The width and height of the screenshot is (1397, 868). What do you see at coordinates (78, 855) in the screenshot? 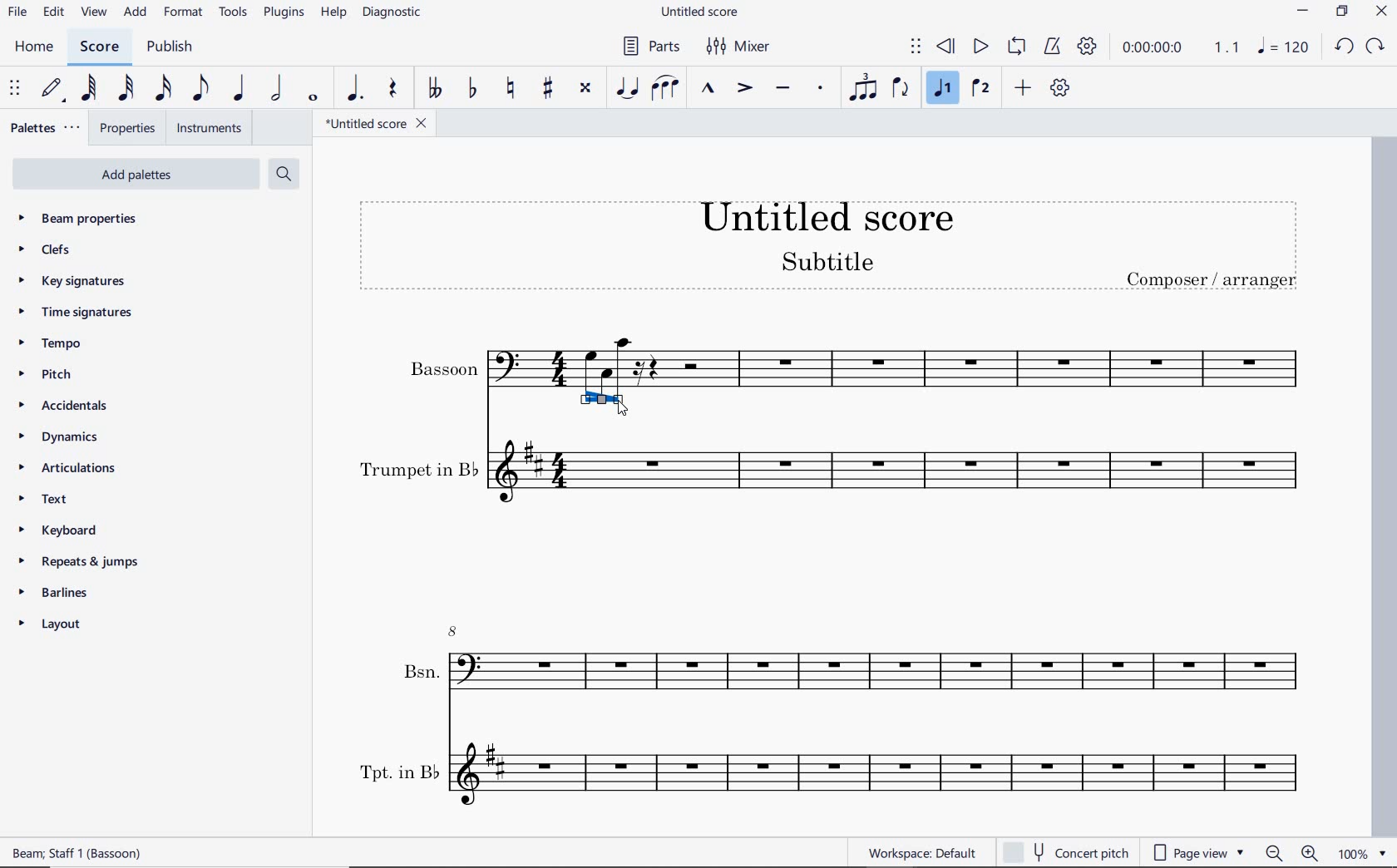
I see `score description` at bounding box center [78, 855].